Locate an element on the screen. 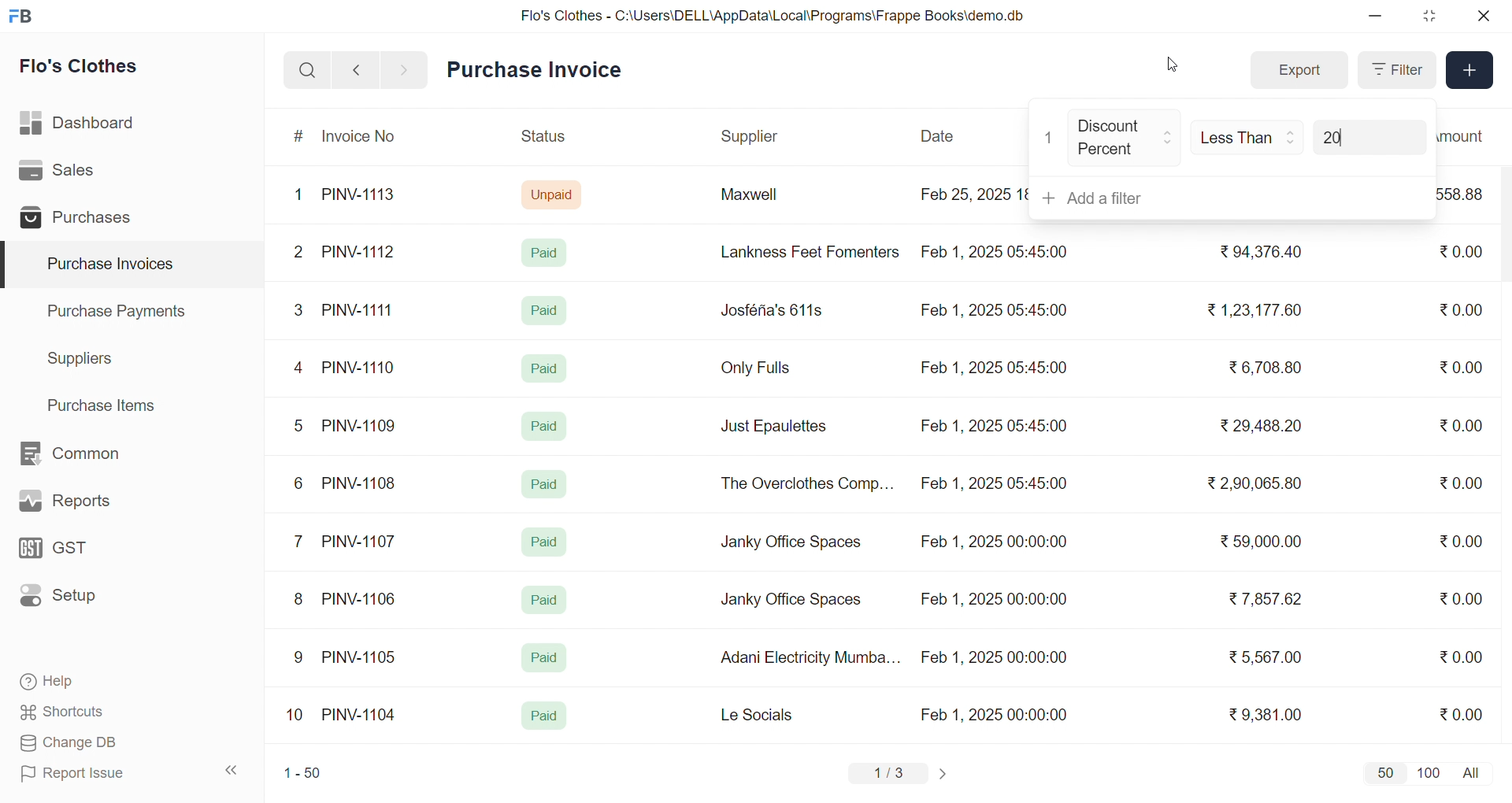 This screenshot has width=1512, height=803. Paid is located at coordinates (547, 424).